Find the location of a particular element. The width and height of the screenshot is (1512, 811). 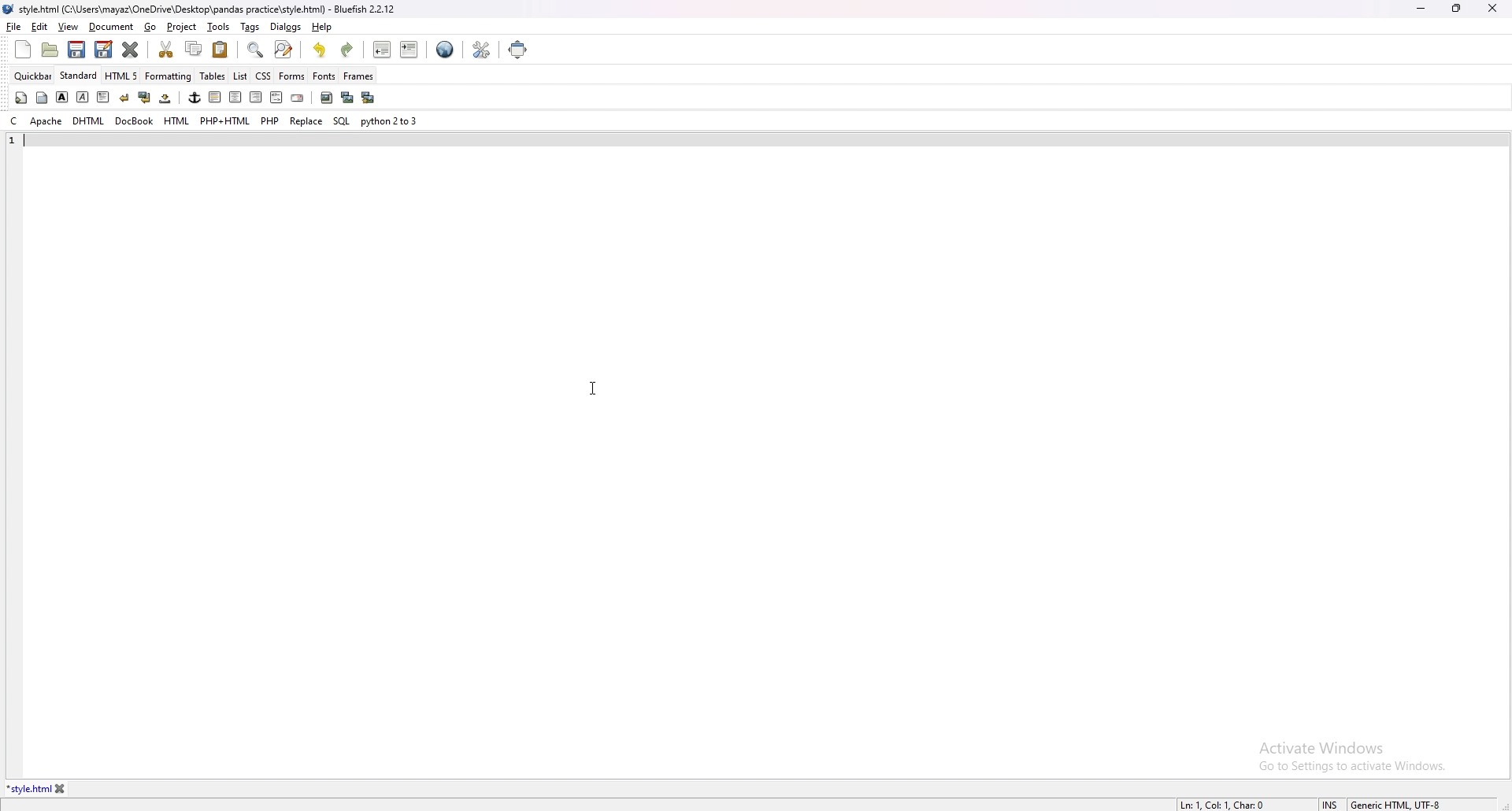

go is located at coordinates (152, 28).